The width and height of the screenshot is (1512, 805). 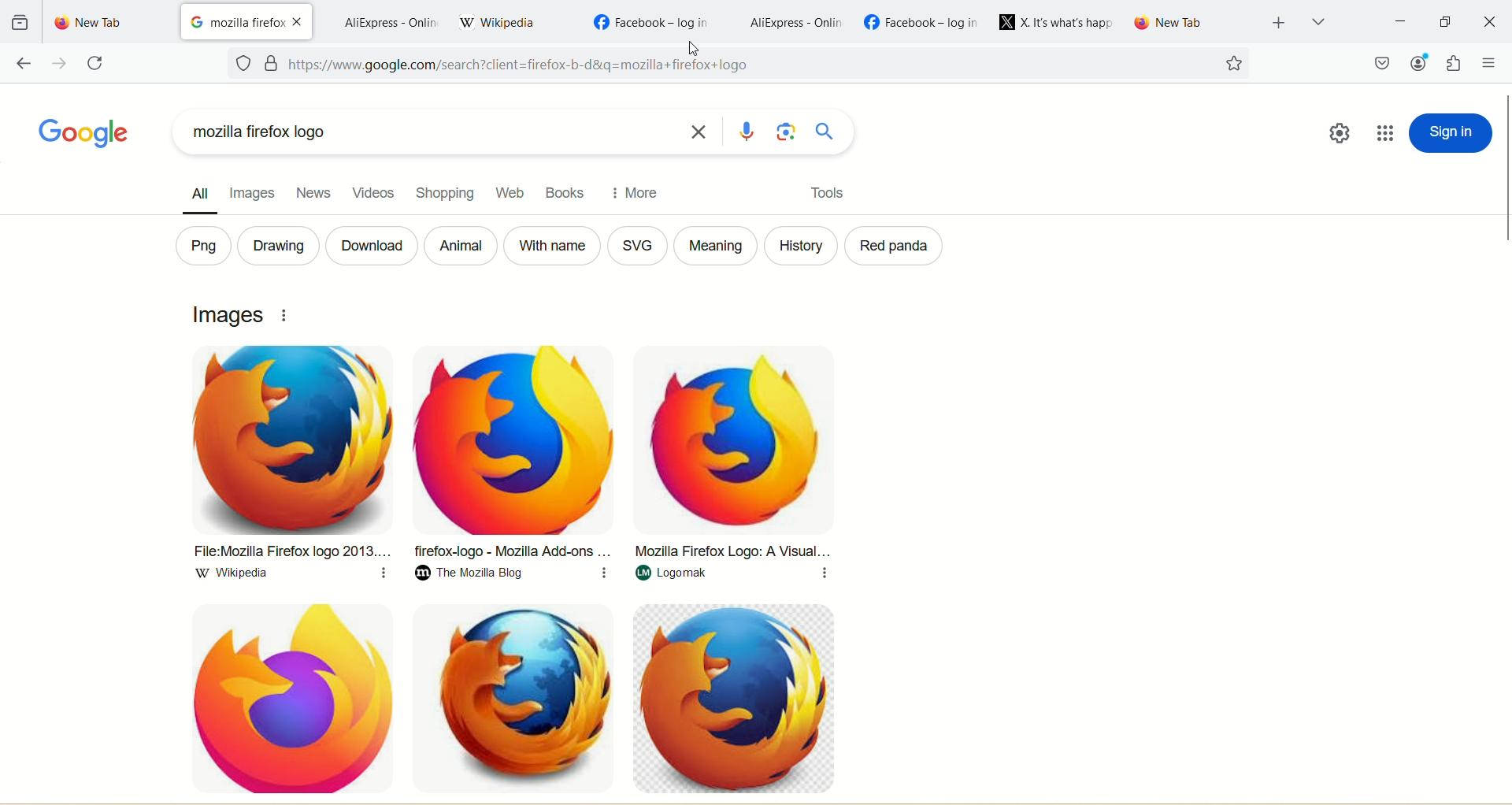 What do you see at coordinates (1232, 65) in the screenshot?
I see `add bookmark` at bounding box center [1232, 65].